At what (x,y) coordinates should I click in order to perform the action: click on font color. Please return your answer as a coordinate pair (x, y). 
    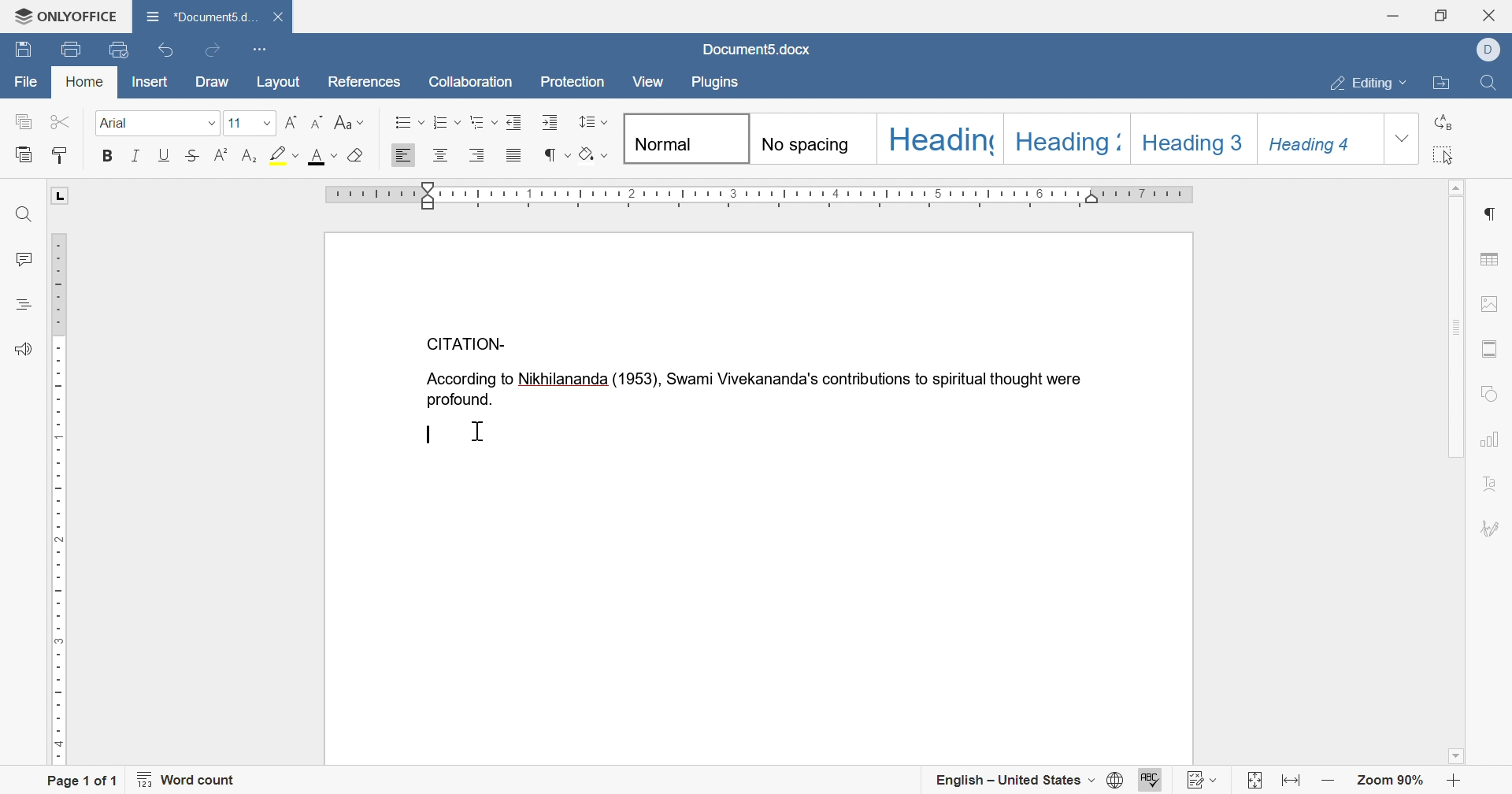
    Looking at the image, I should click on (322, 159).